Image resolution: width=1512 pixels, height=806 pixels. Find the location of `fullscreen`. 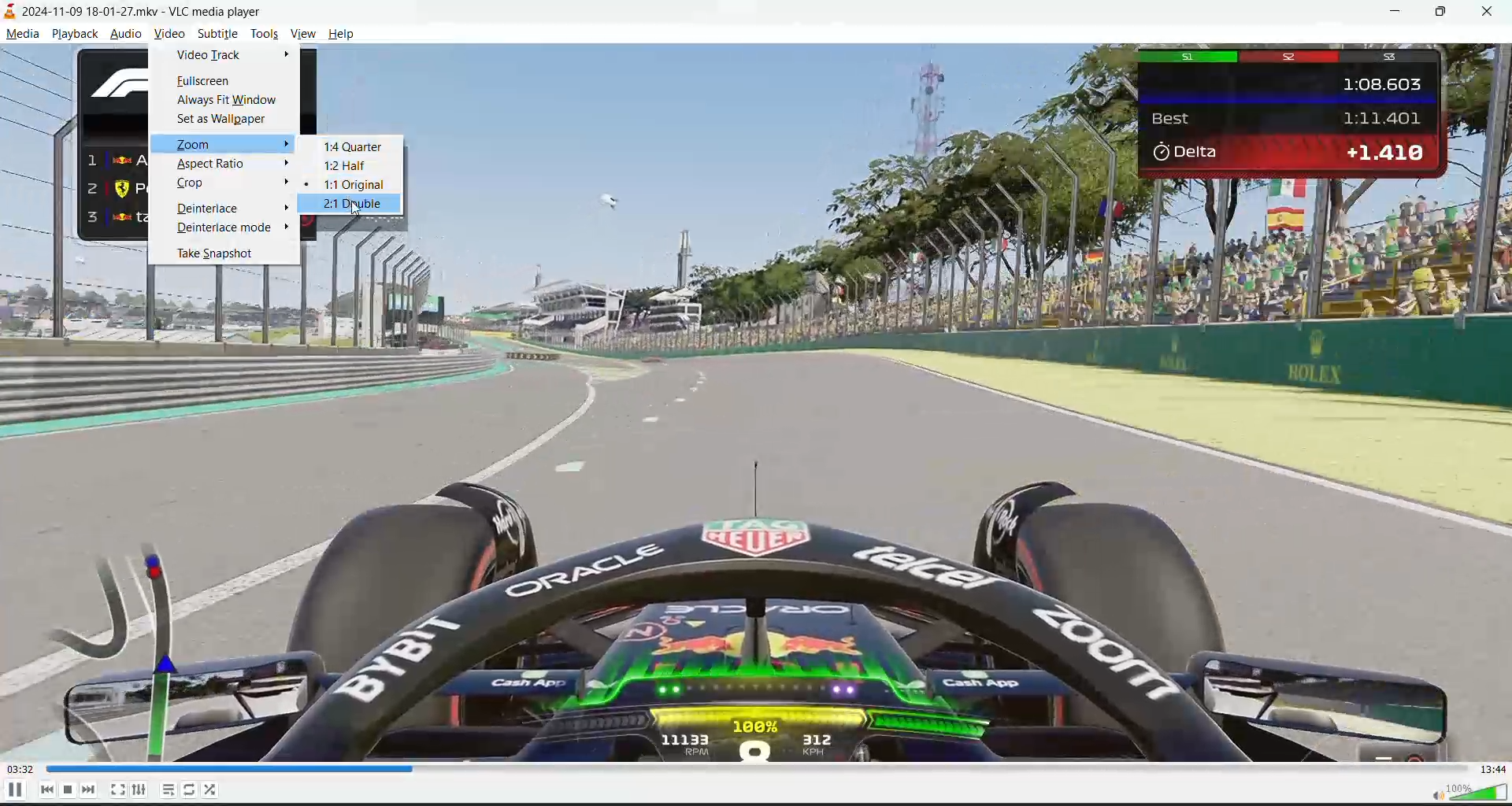

fullscreen is located at coordinates (204, 83).